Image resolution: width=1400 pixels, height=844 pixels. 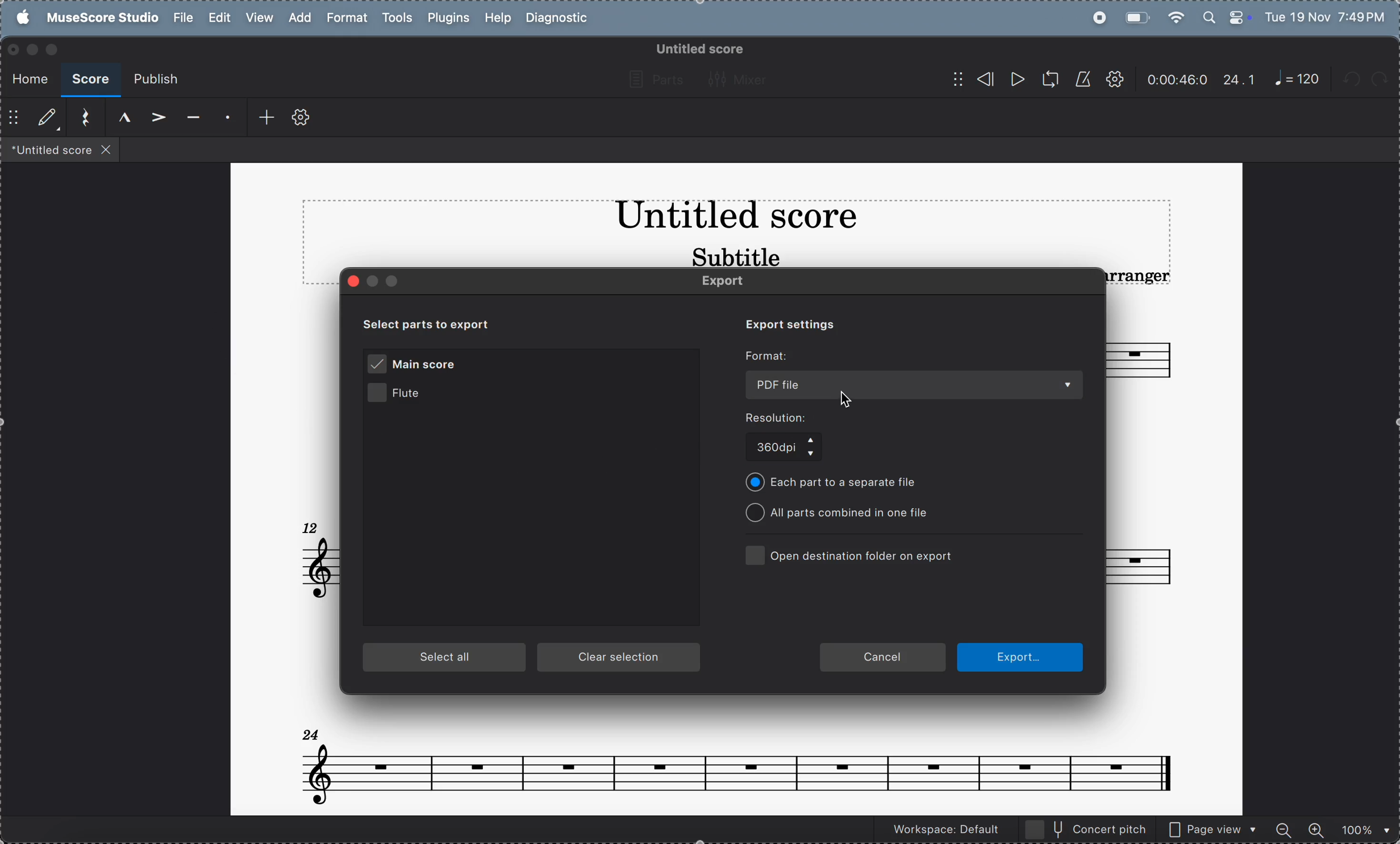 What do you see at coordinates (1016, 81) in the screenshot?
I see `play` at bounding box center [1016, 81].